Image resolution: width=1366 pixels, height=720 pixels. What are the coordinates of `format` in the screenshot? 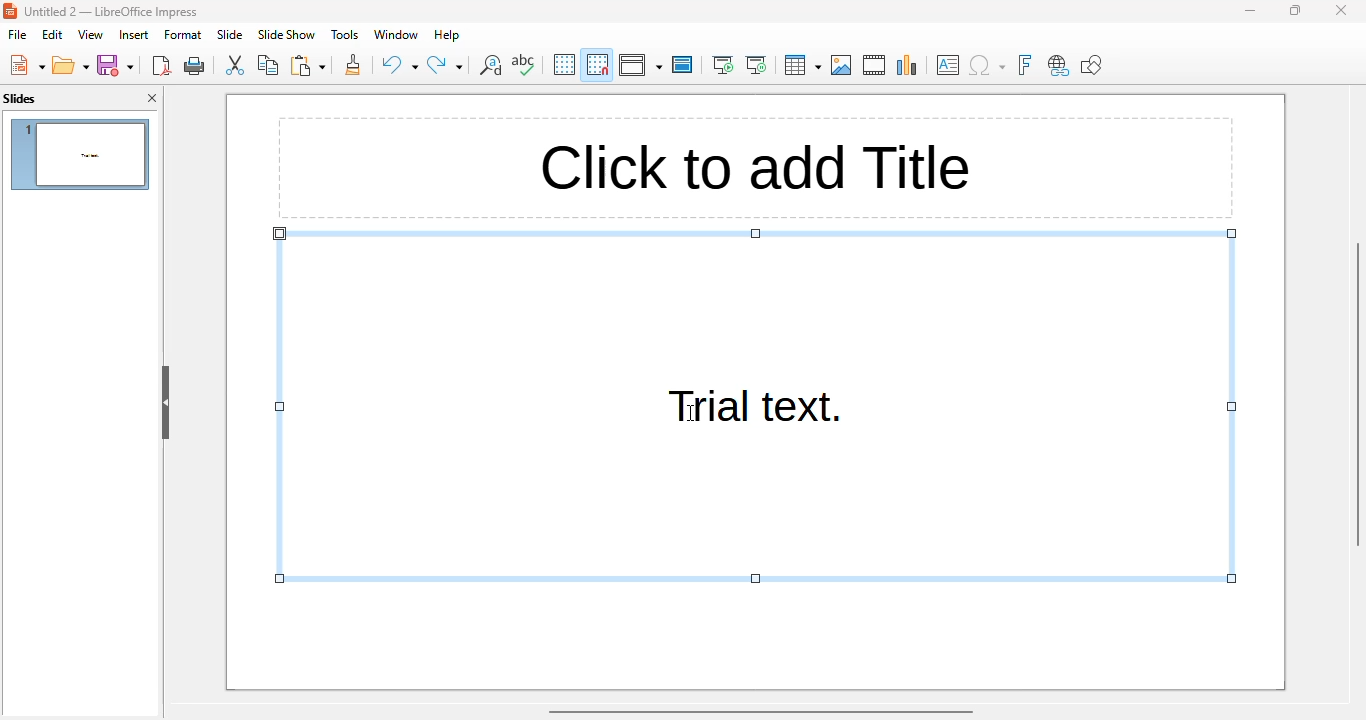 It's located at (183, 34).